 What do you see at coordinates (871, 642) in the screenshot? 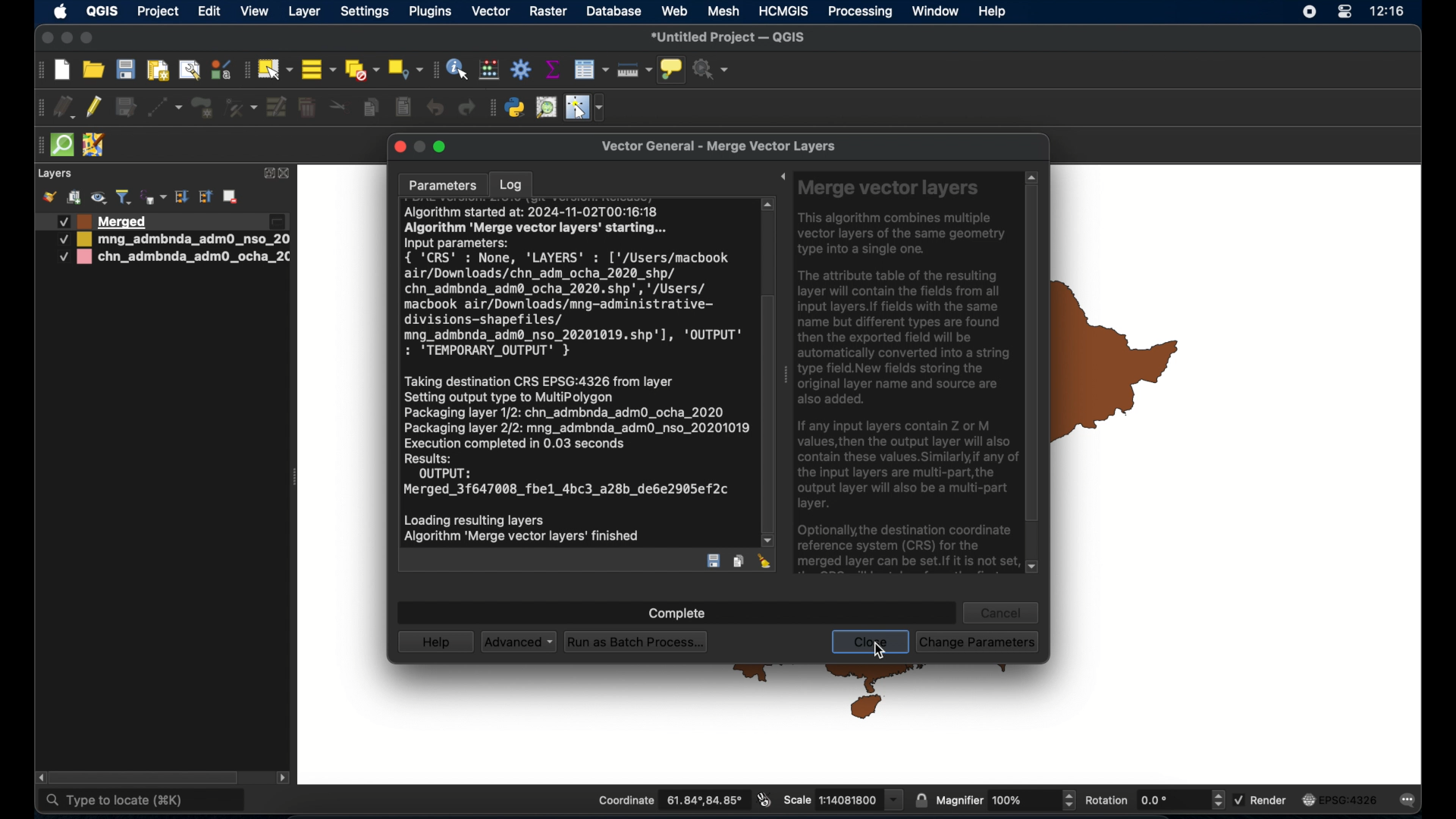
I see `close` at bounding box center [871, 642].